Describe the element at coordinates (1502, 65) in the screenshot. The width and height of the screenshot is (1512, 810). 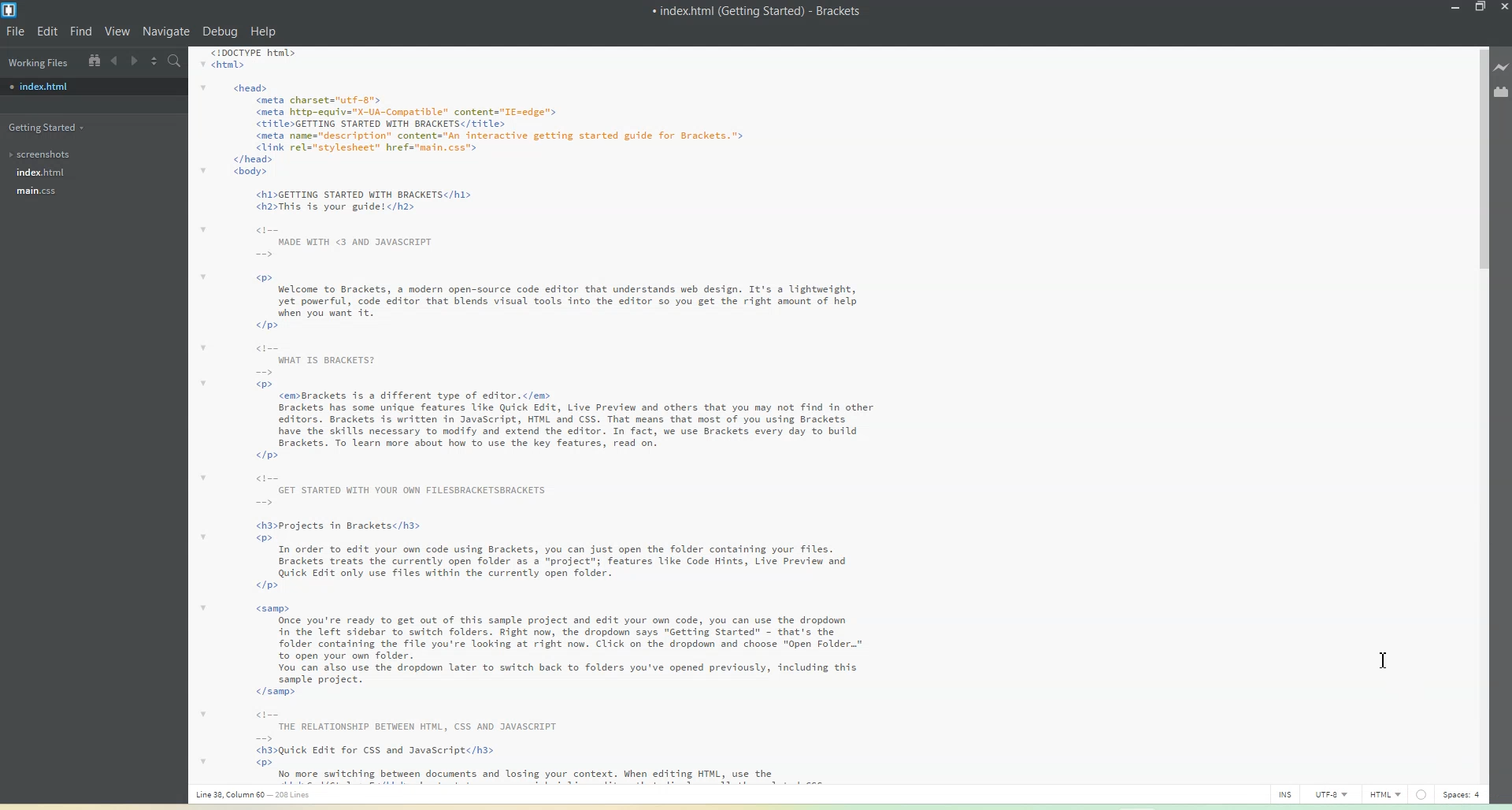
I see `Like Preview` at that location.